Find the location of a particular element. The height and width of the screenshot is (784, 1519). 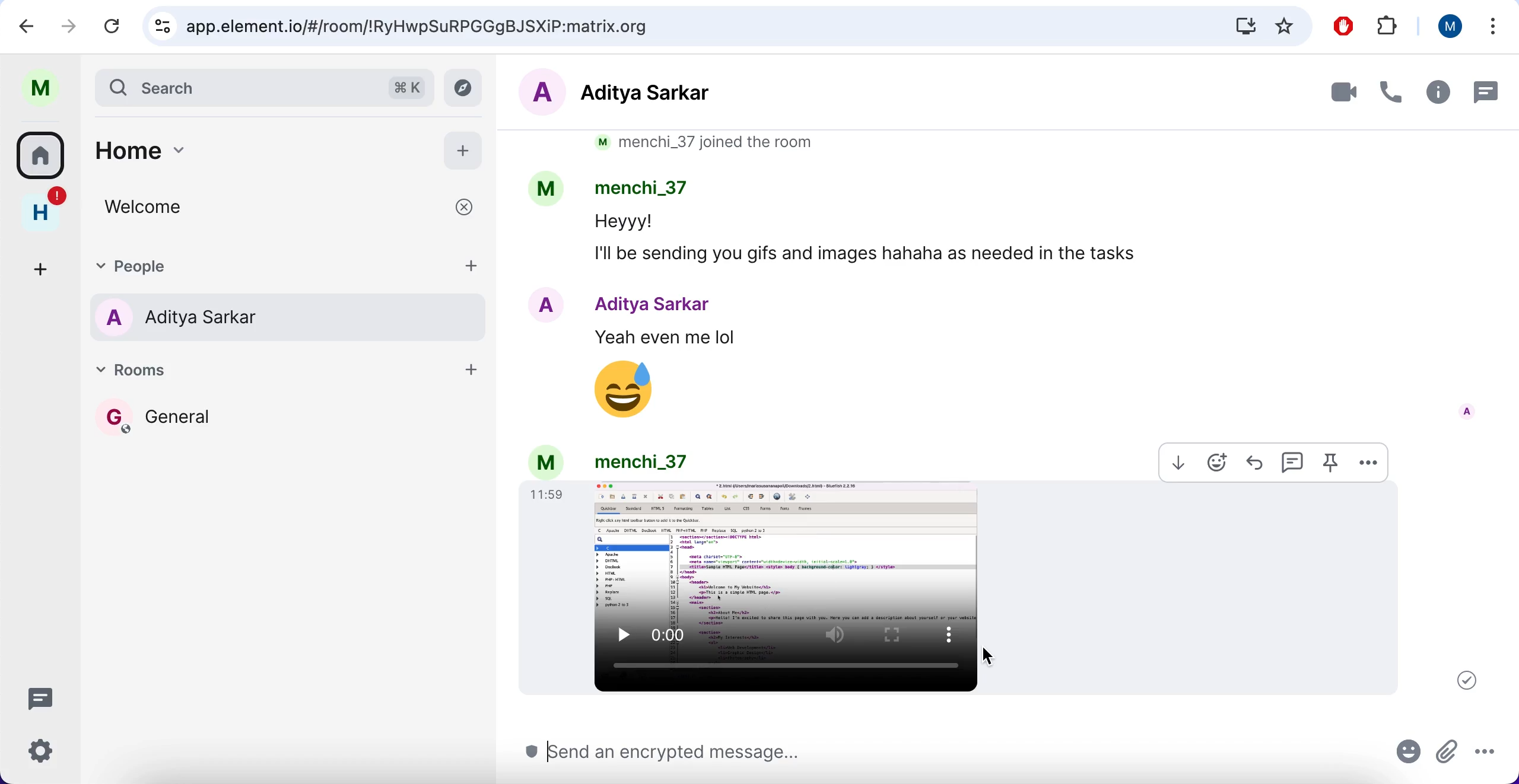

undo is located at coordinates (32, 26).